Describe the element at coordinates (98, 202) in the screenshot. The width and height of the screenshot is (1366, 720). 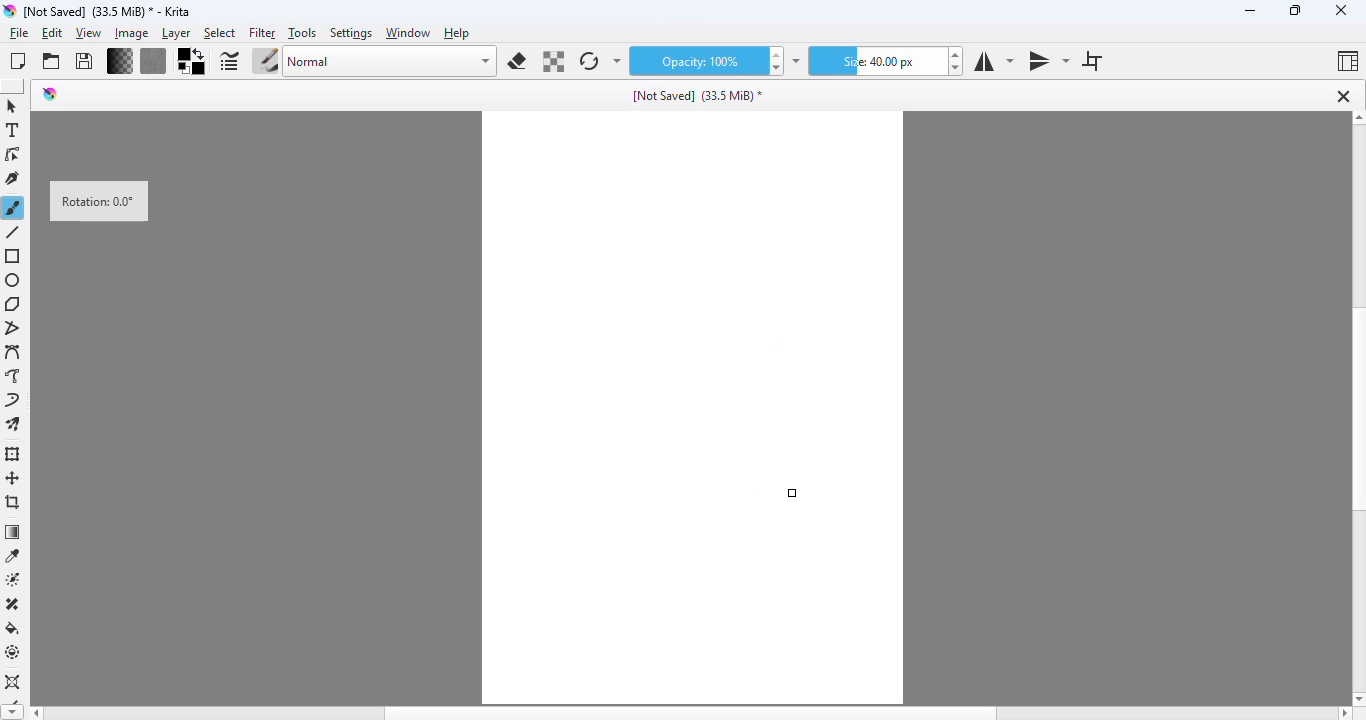
I see `Rotation: 0.0°` at that location.